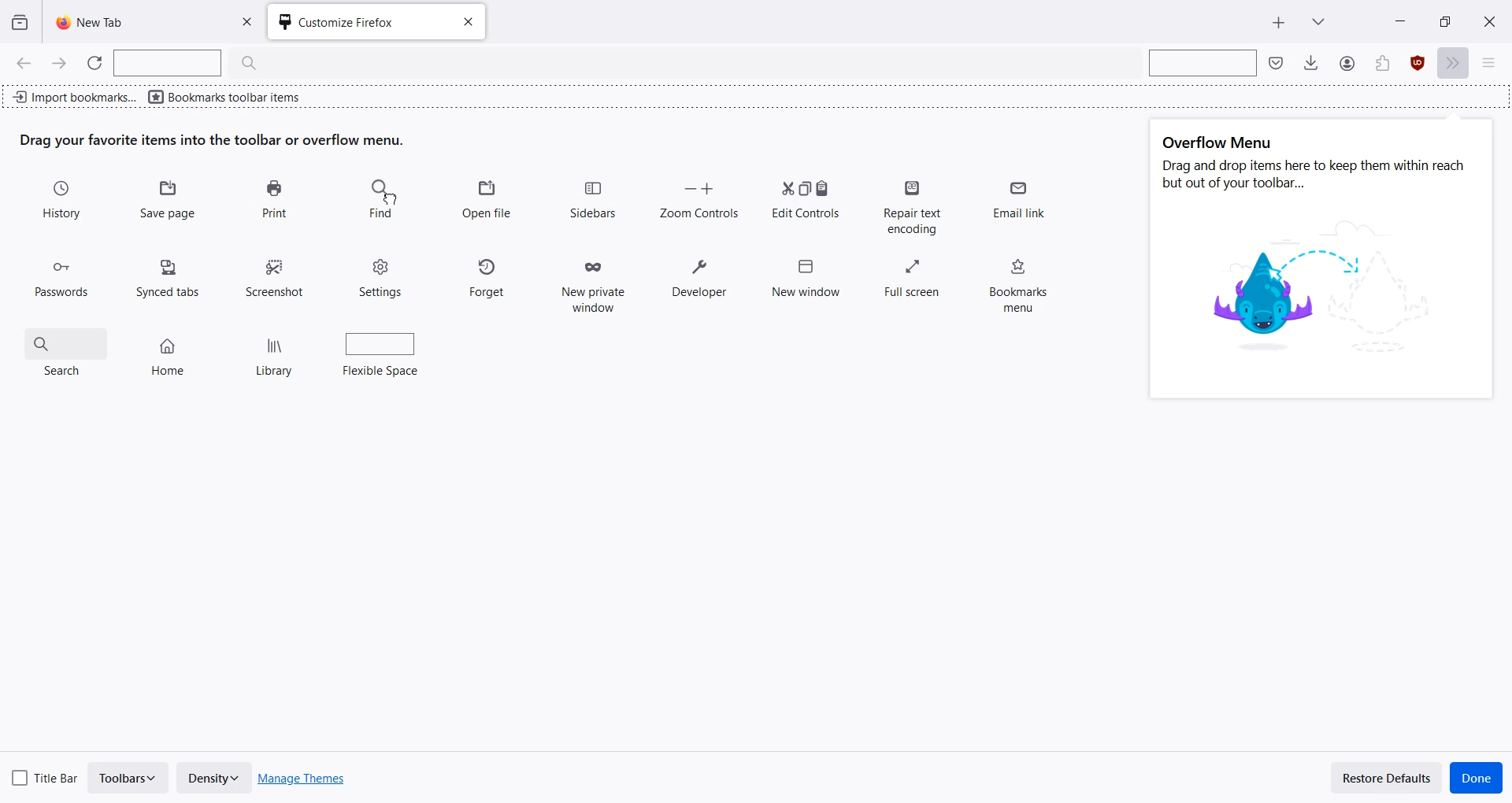 The width and height of the screenshot is (1512, 803). What do you see at coordinates (390, 198) in the screenshot?
I see `Drag Cursor` at bounding box center [390, 198].